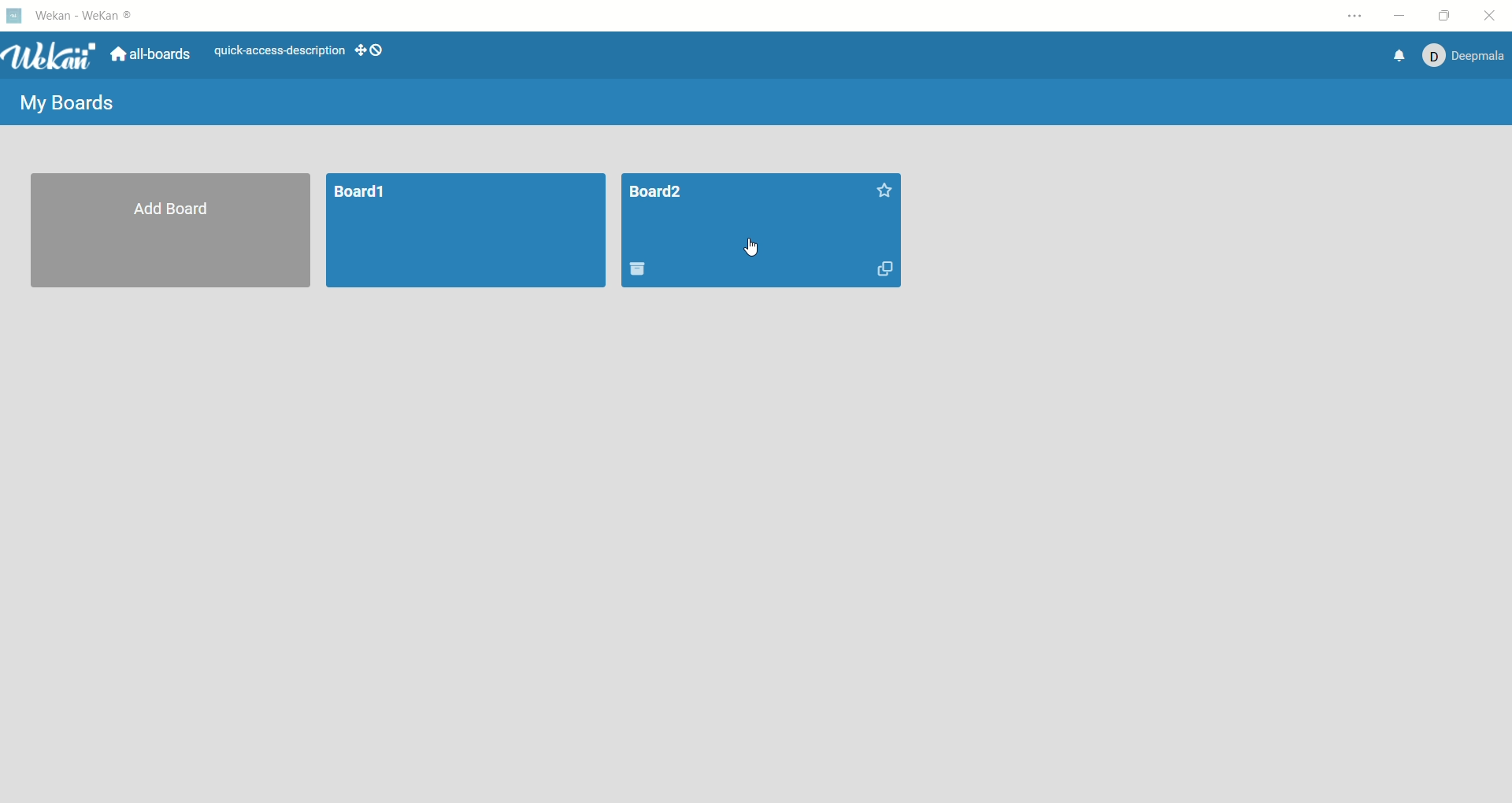 The height and width of the screenshot is (803, 1512). Describe the element at coordinates (636, 269) in the screenshot. I see `delete` at that location.